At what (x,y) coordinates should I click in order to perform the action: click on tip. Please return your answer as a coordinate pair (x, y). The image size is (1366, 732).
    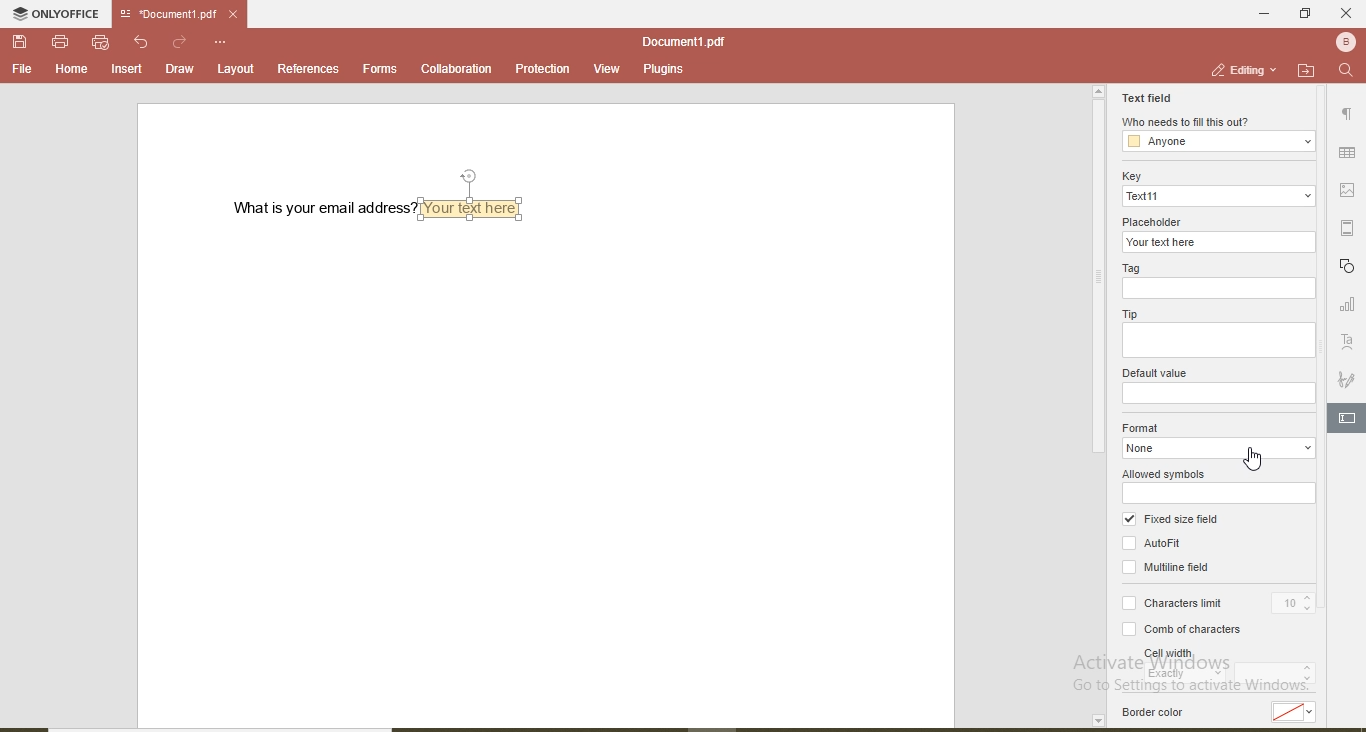
    Looking at the image, I should click on (1130, 315).